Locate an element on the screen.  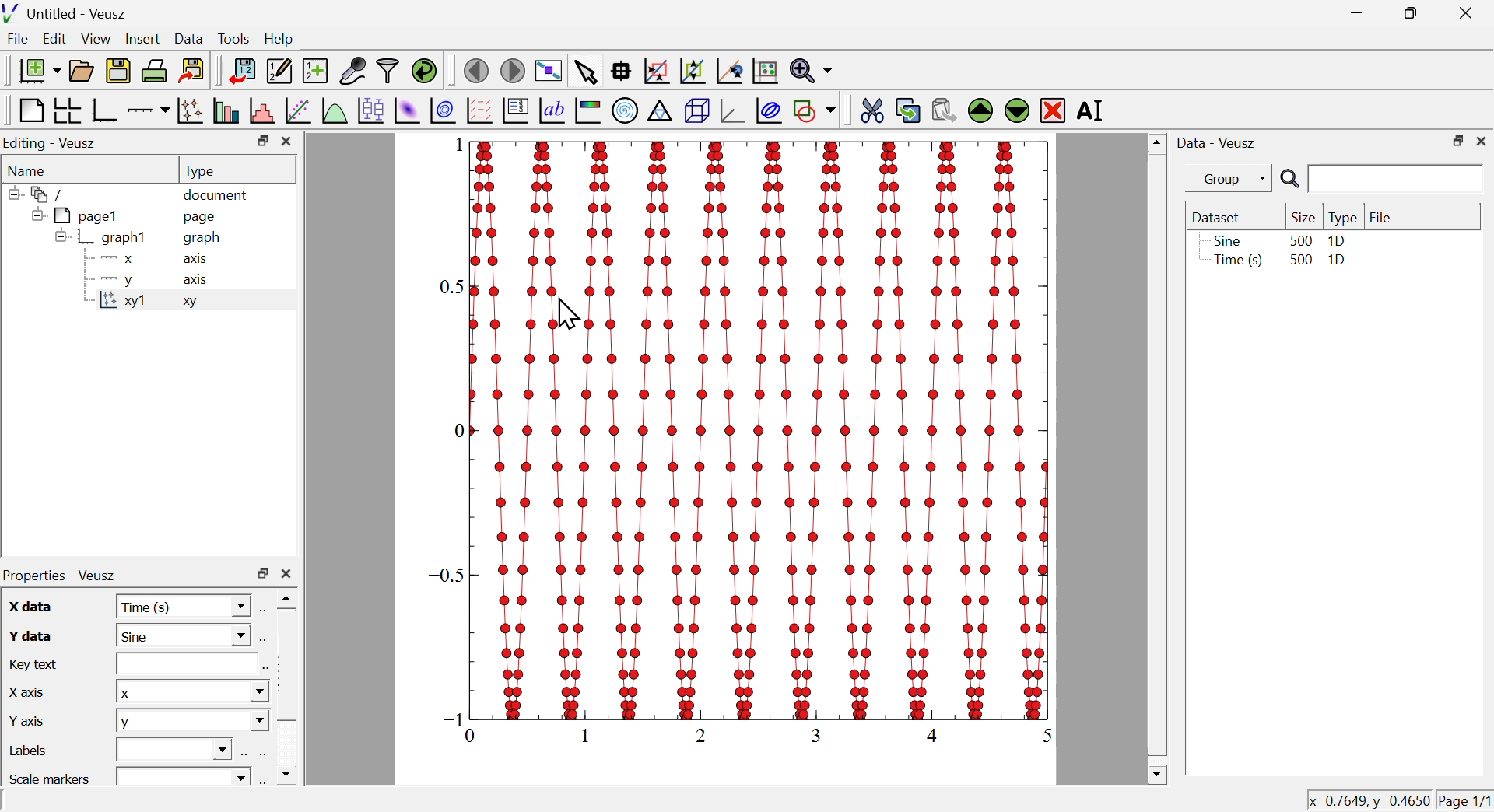
x=0.7649, y=0.4650 is located at coordinates (1367, 800).